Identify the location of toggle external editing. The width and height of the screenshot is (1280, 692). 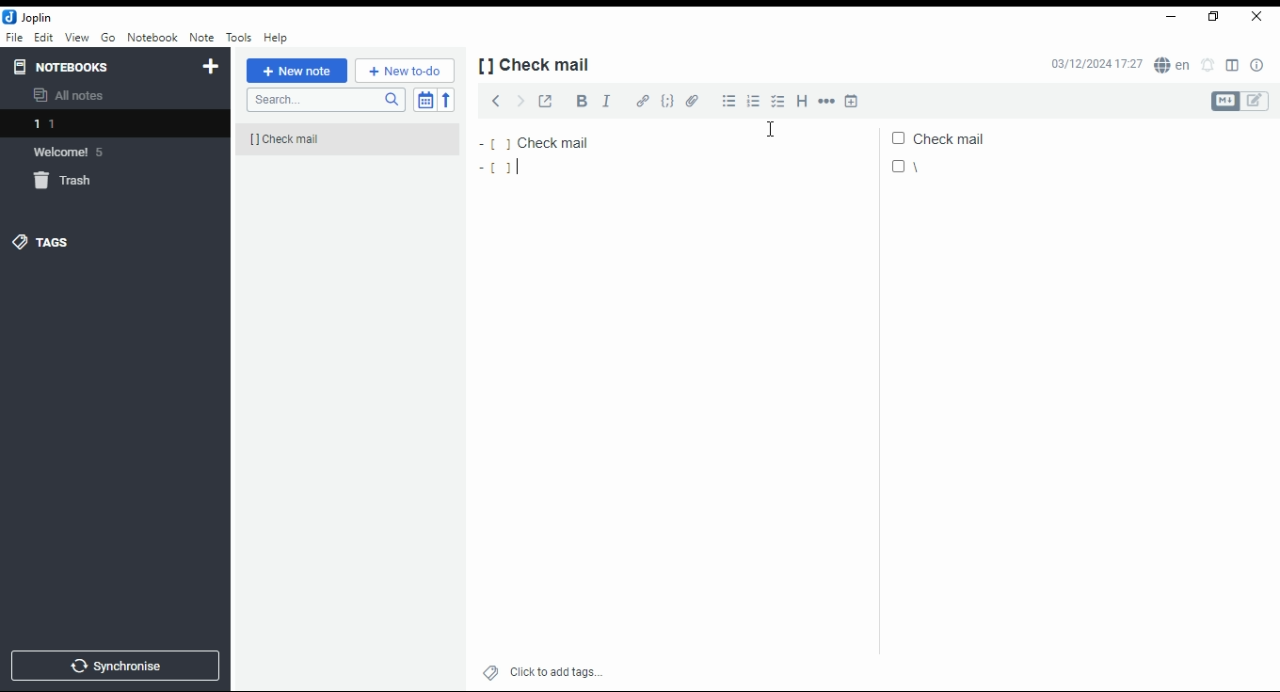
(545, 101).